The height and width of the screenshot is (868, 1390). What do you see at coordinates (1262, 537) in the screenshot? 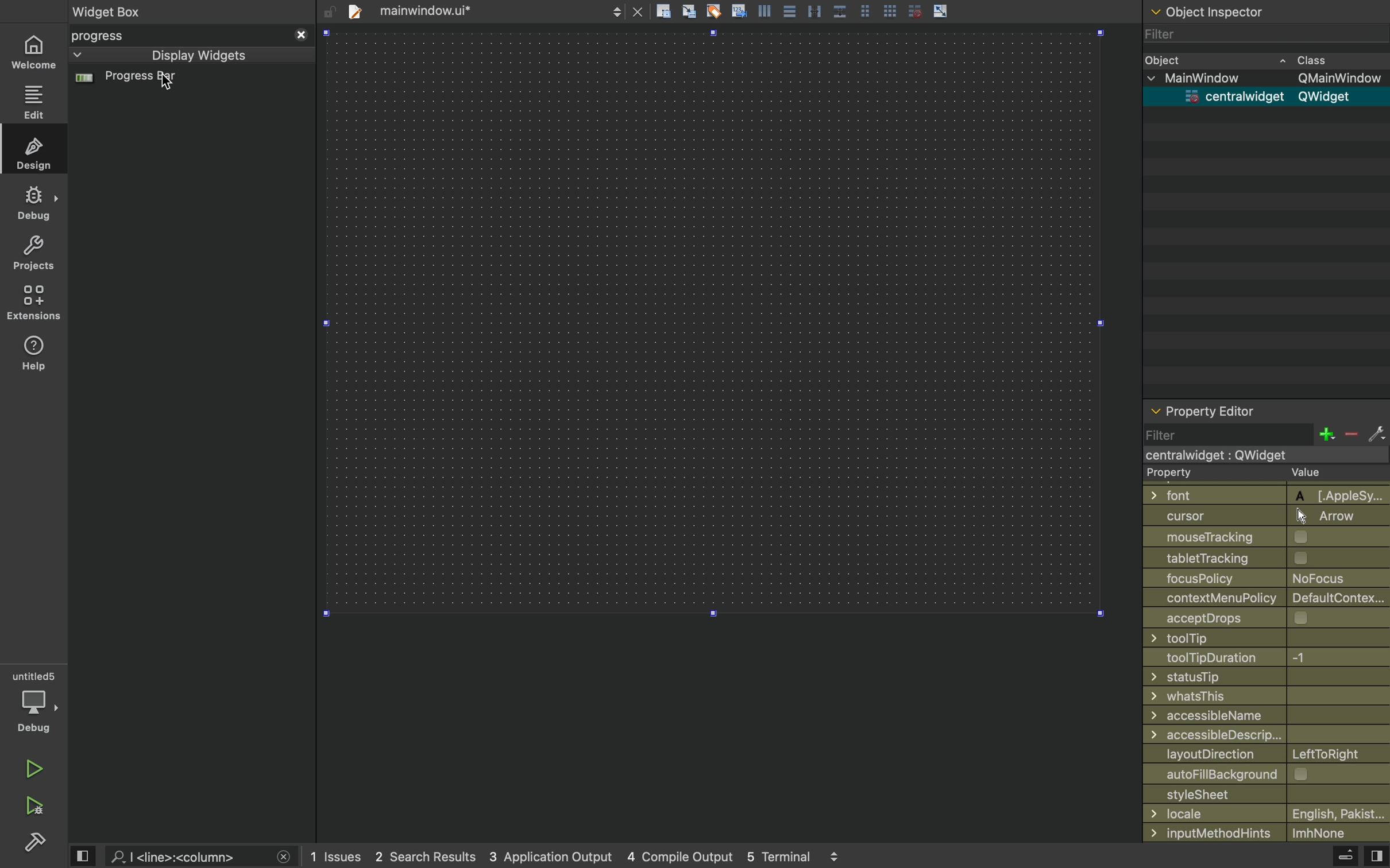
I see `mousetracking` at bounding box center [1262, 537].